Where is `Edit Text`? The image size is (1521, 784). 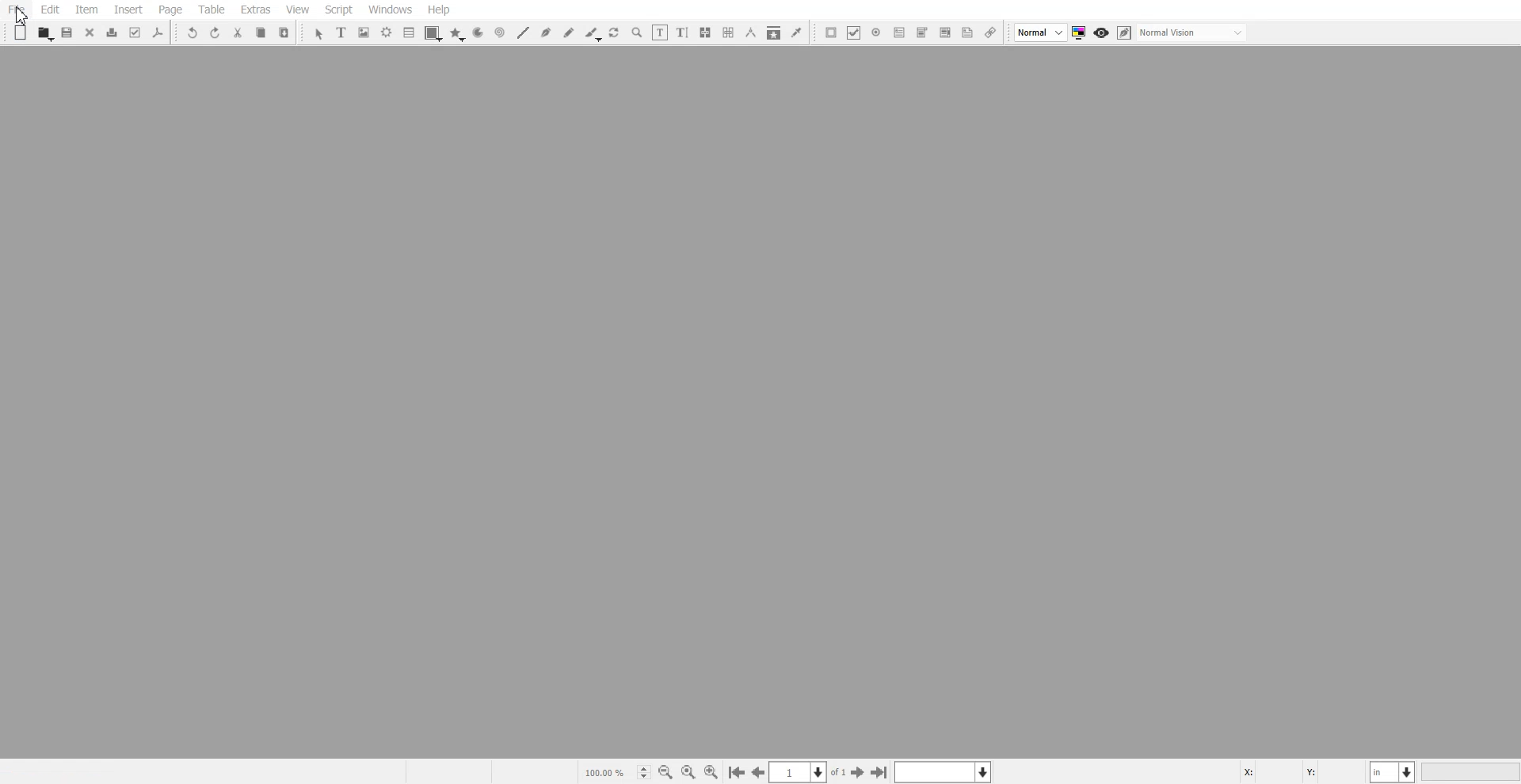
Edit Text is located at coordinates (682, 32).